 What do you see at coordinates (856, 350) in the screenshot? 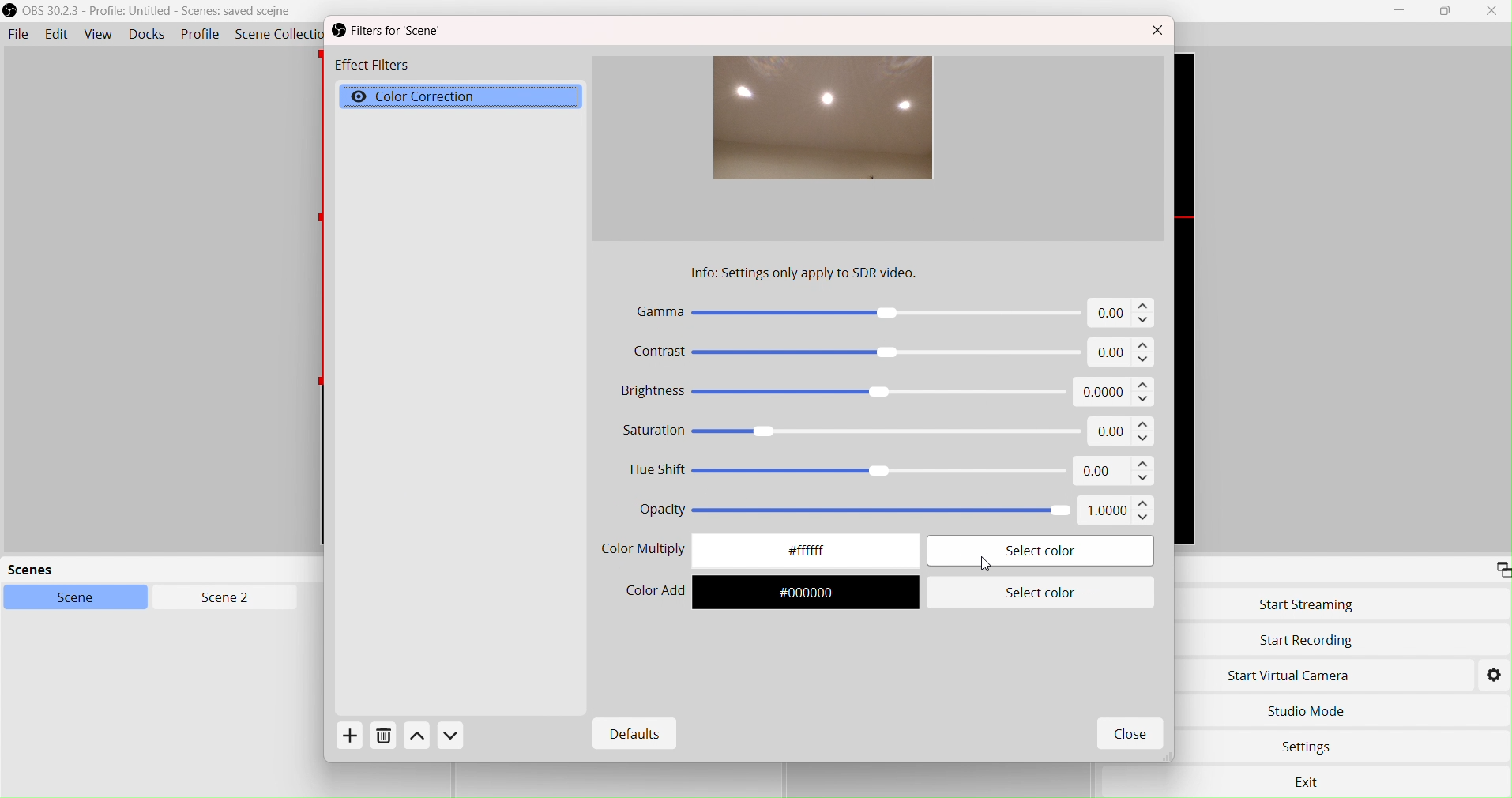
I see `Contrast` at bounding box center [856, 350].